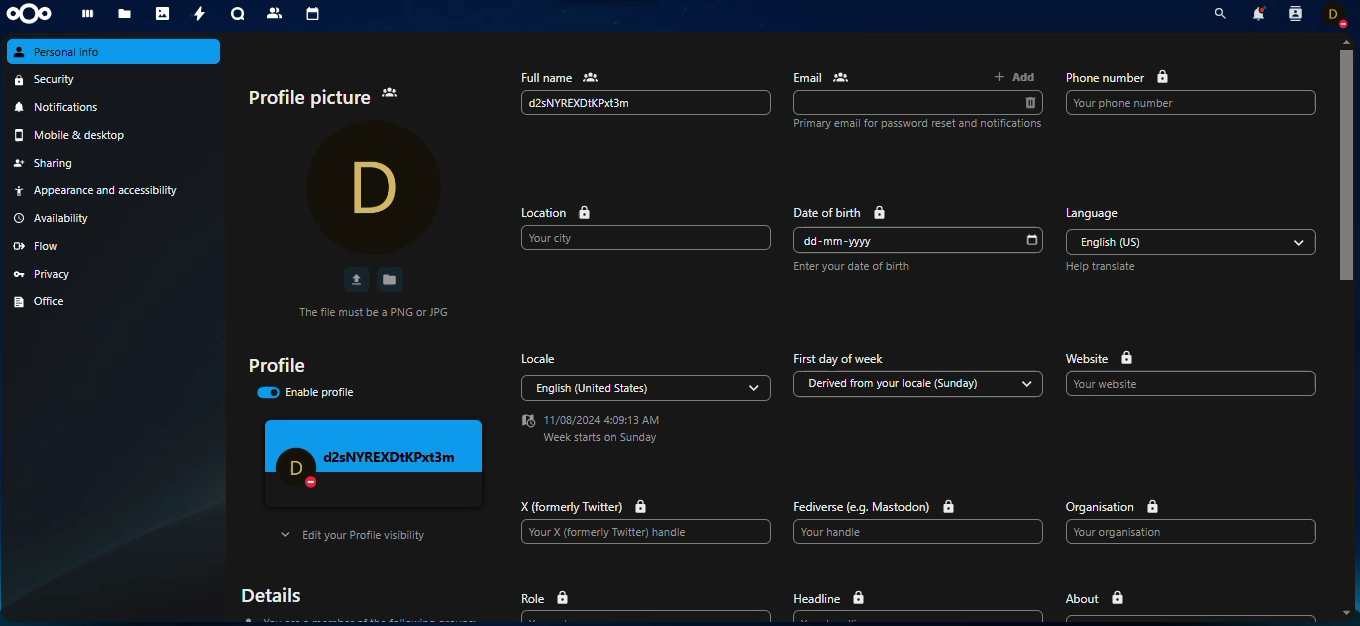 This screenshot has width=1360, height=626. Describe the element at coordinates (539, 358) in the screenshot. I see `locale` at that location.